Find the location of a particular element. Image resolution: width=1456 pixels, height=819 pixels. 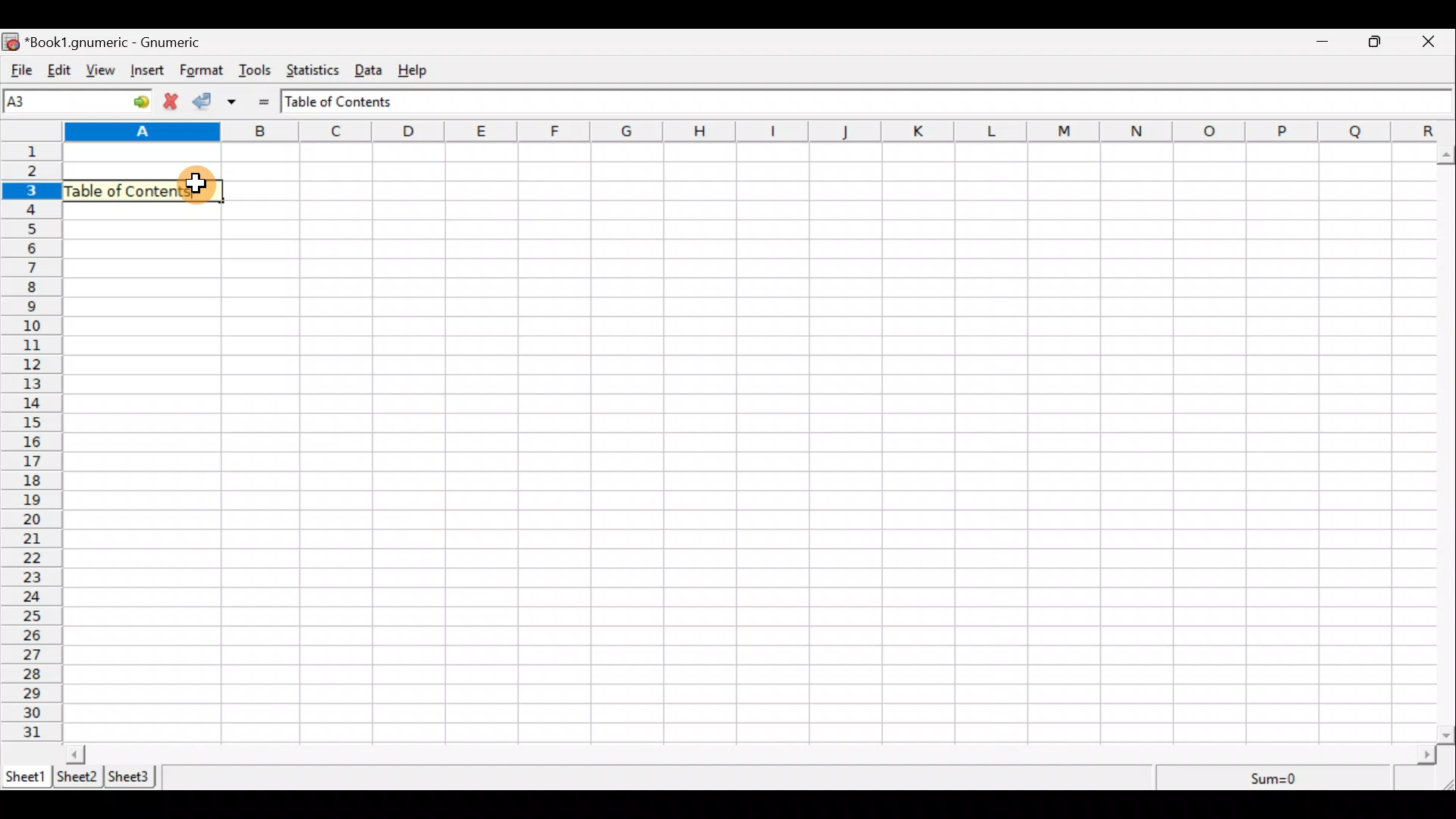

Format is located at coordinates (202, 71).